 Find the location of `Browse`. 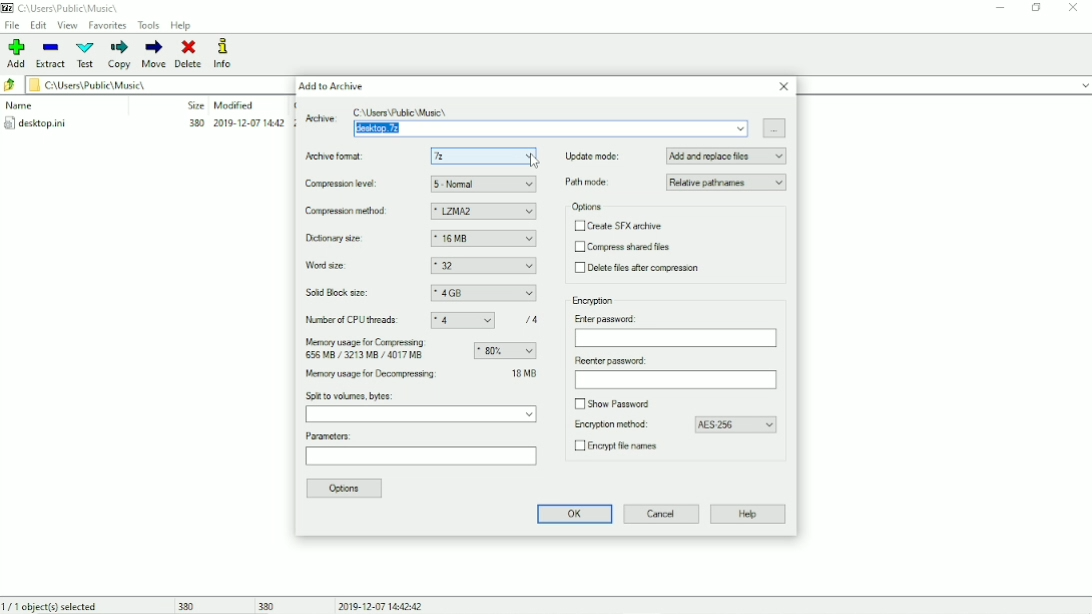

Browse is located at coordinates (776, 128).